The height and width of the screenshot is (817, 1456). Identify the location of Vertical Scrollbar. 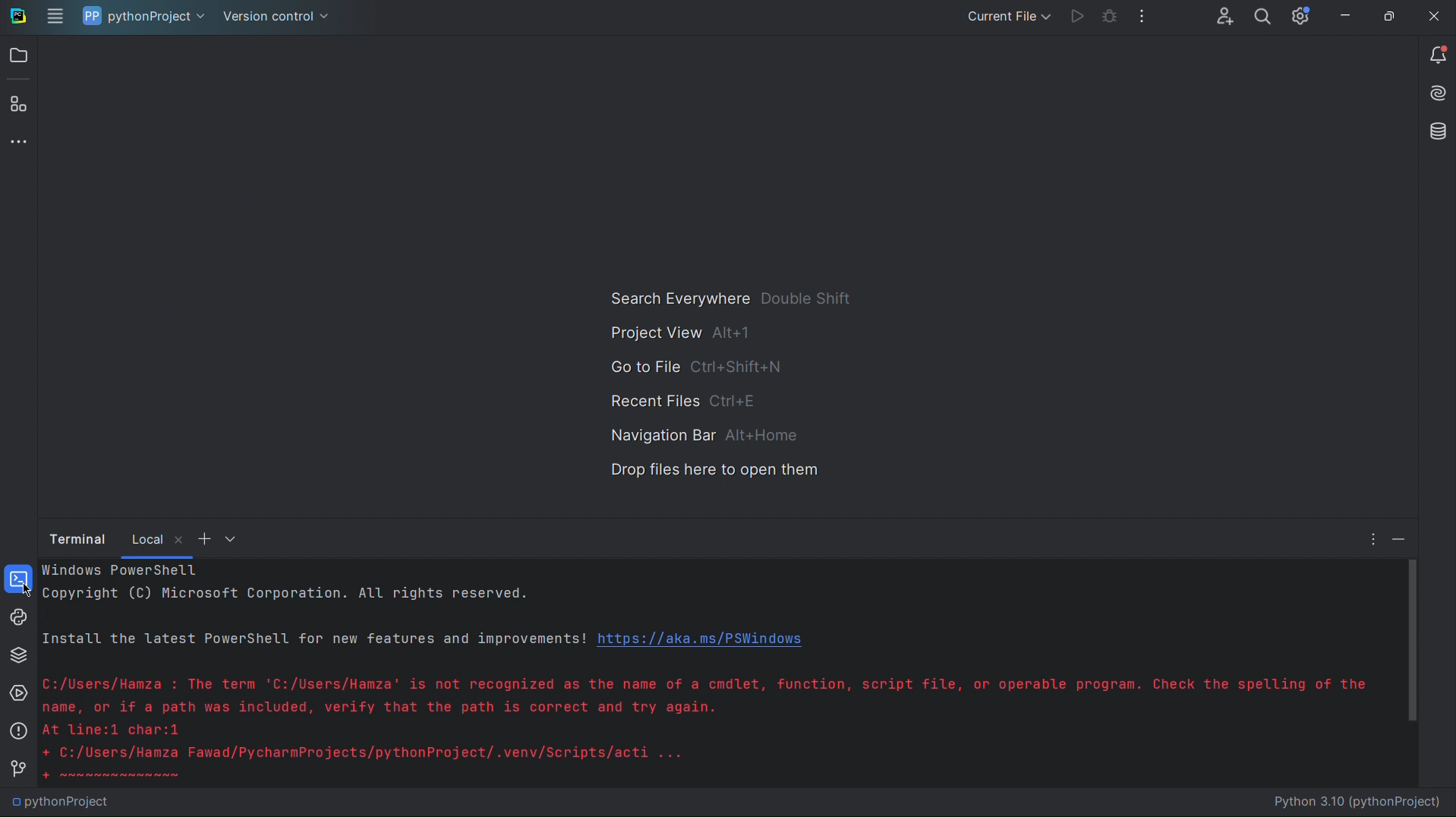
(1413, 644).